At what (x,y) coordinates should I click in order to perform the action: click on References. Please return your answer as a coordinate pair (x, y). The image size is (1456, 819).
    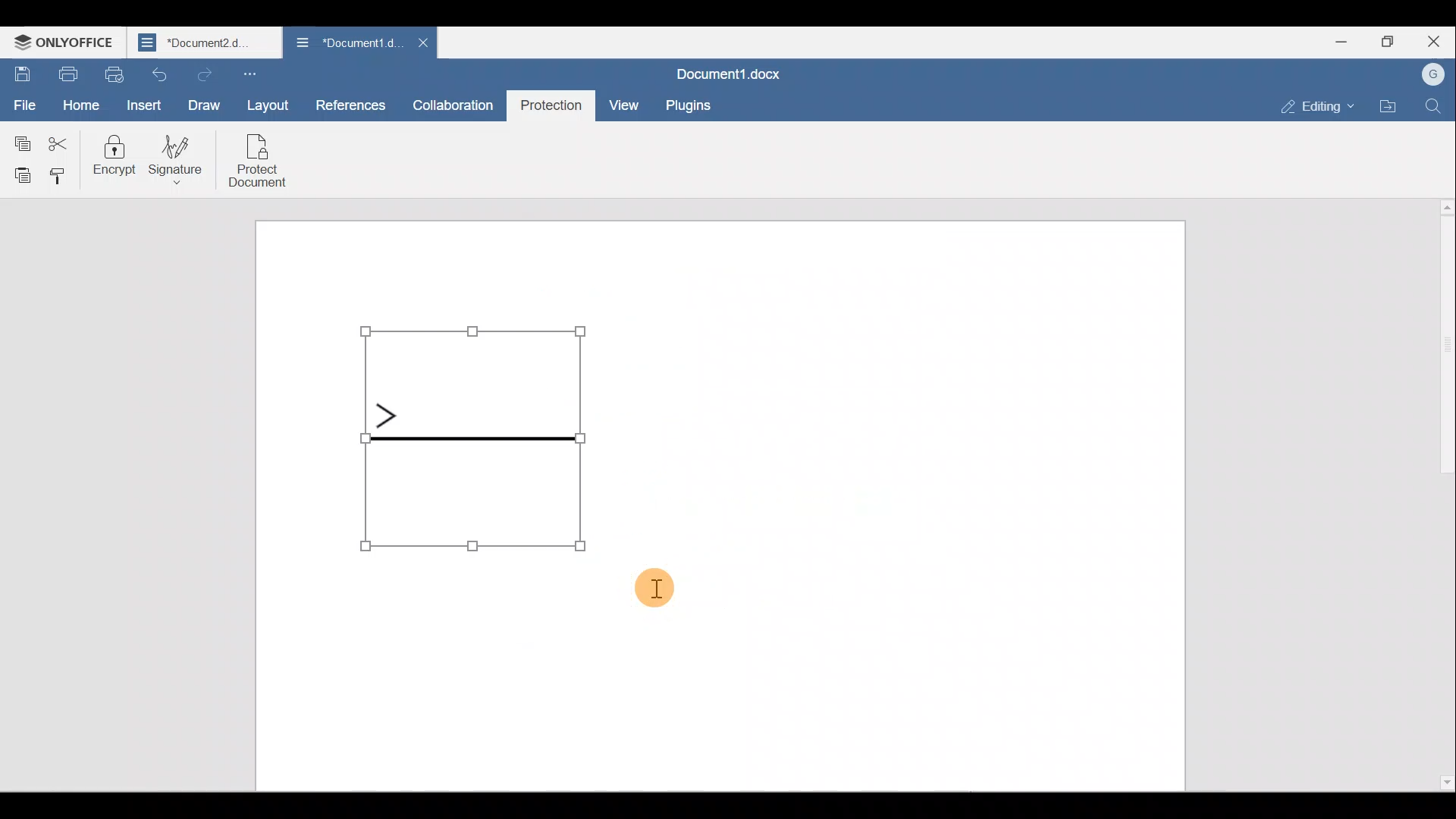
    Looking at the image, I should click on (350, 105).